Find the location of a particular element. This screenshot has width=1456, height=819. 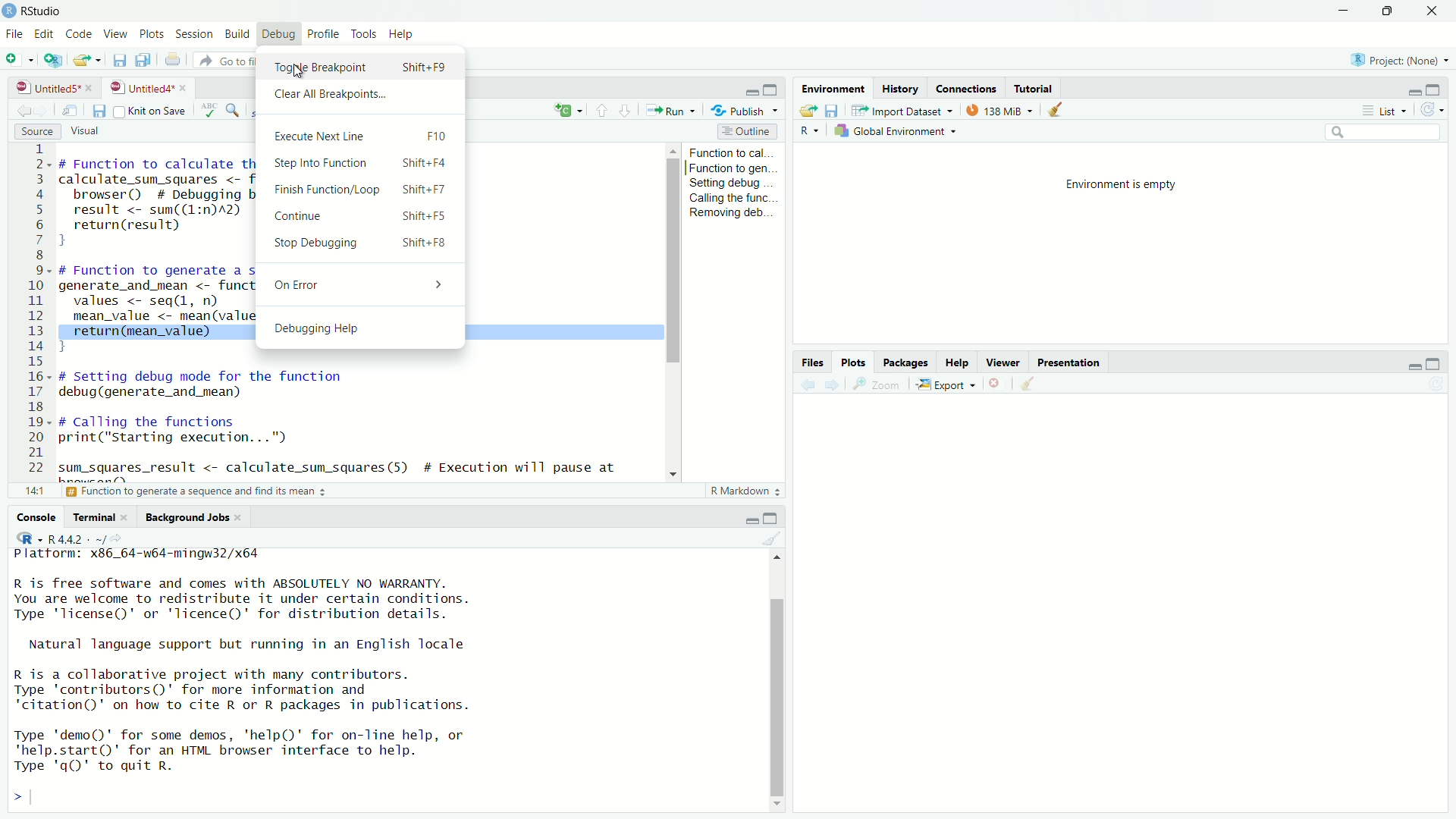

Execute Next Line is located at coordinates (361, 136).